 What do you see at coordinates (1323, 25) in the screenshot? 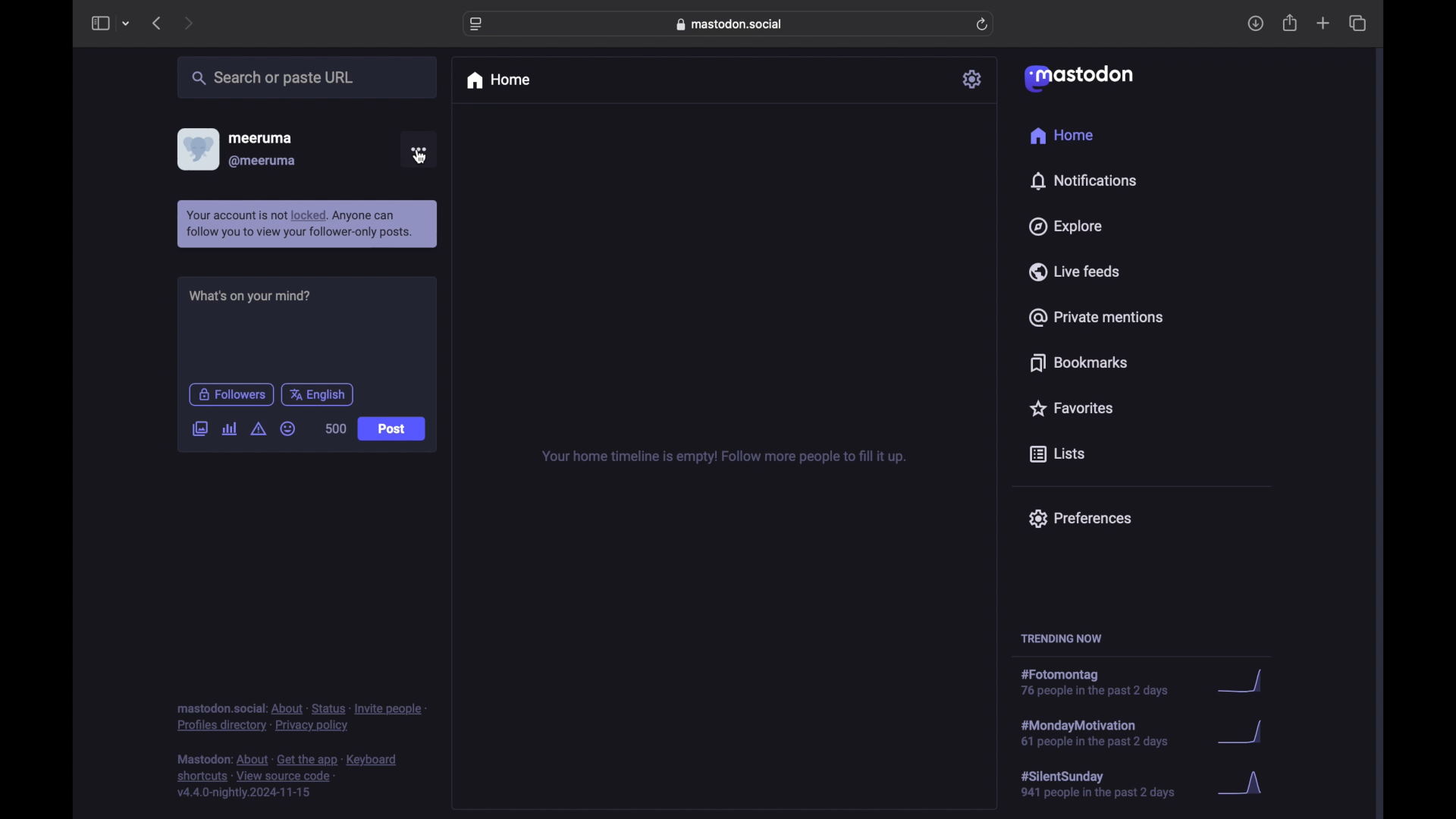
I see `new tab` at bounding box center [1323, 25].